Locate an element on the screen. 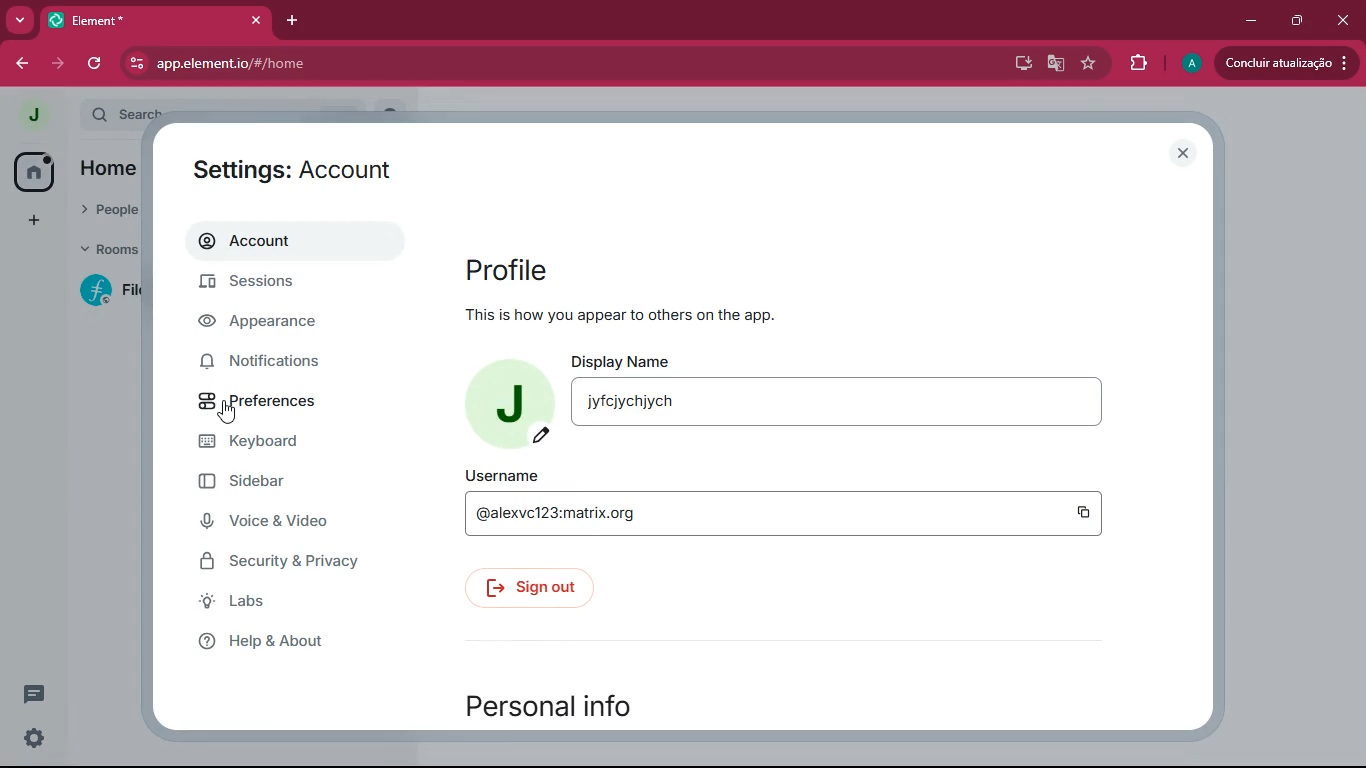 Image resolution: width=1366 pixels, height=768 pixels. settings is located at coordinates (35, 739).